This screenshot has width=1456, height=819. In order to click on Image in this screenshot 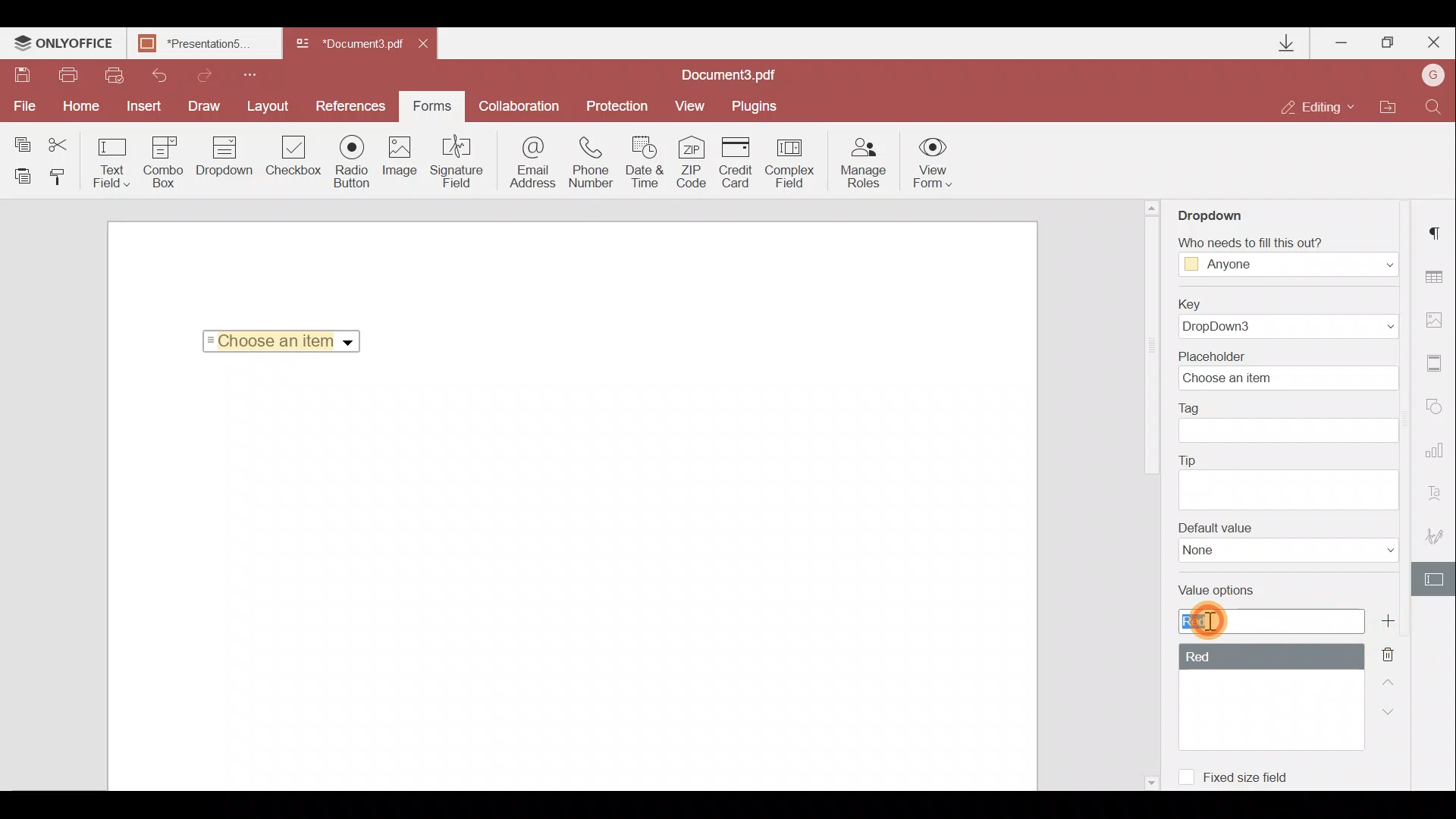, I will do `click(403, 161)`.